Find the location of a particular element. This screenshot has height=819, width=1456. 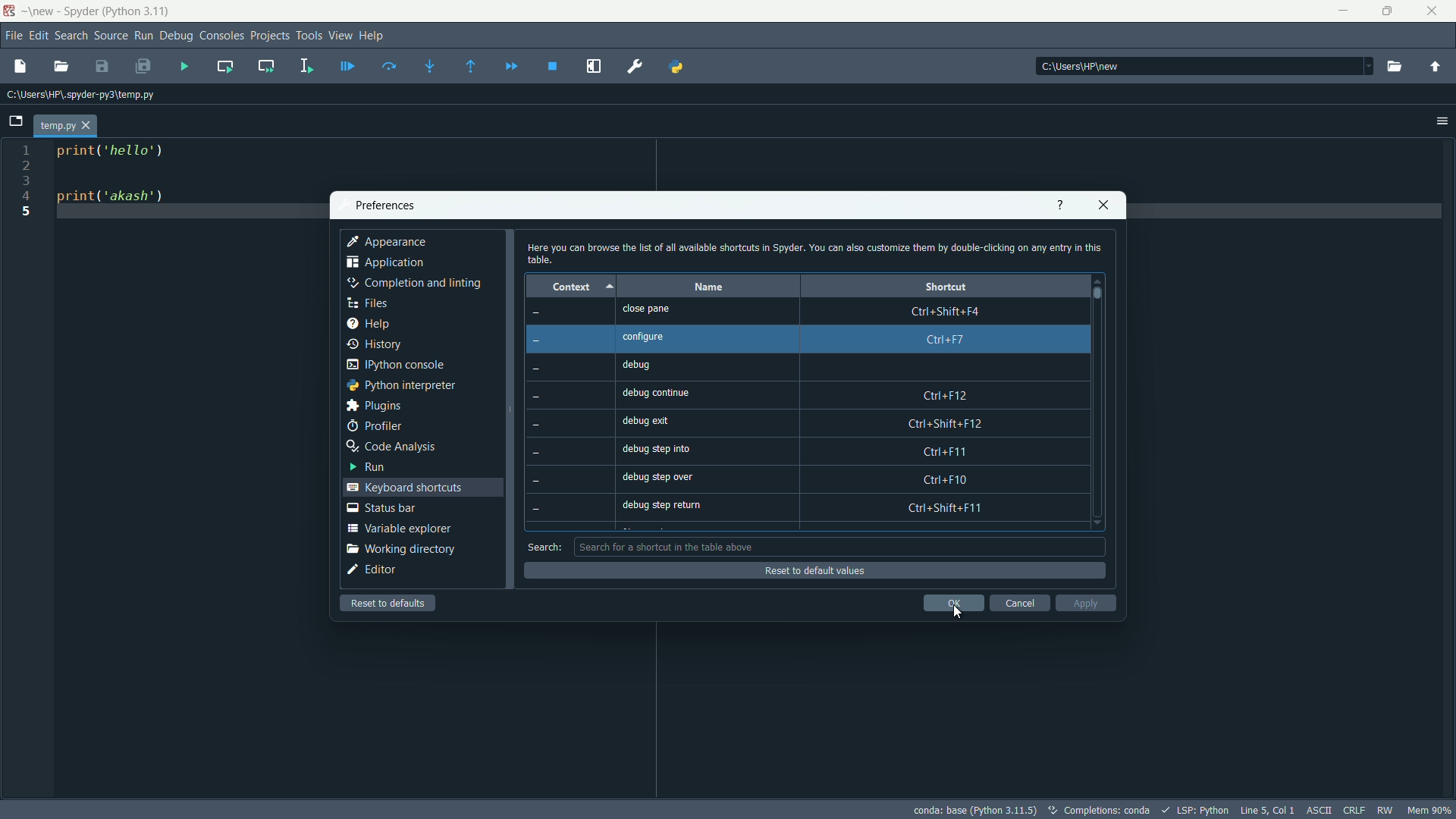

working directory is located at coordinates (400, 548).